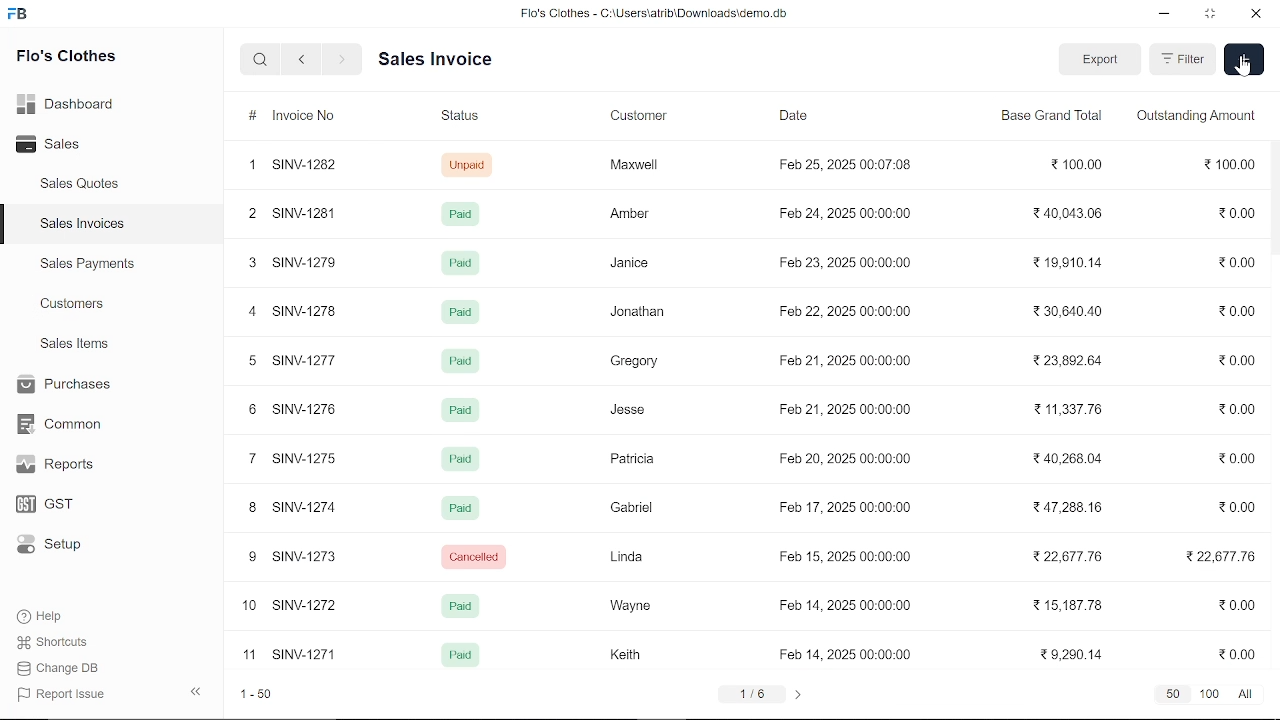 The height and width of the screenshot is (720, 1280). Describe the element at coordinates (62, 385) in the screenshot. I see `Purchases` at that location.